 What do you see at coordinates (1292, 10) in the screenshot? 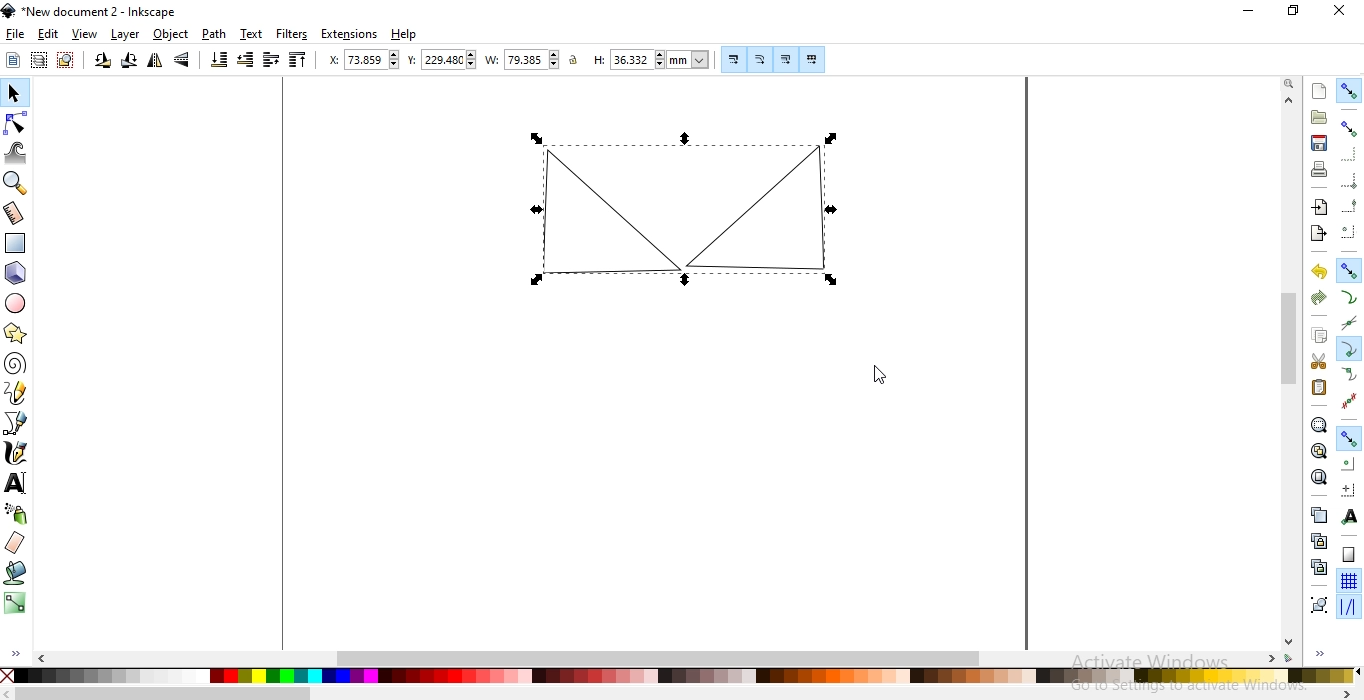
I see `restore down` at bounding box center [1292, 10].